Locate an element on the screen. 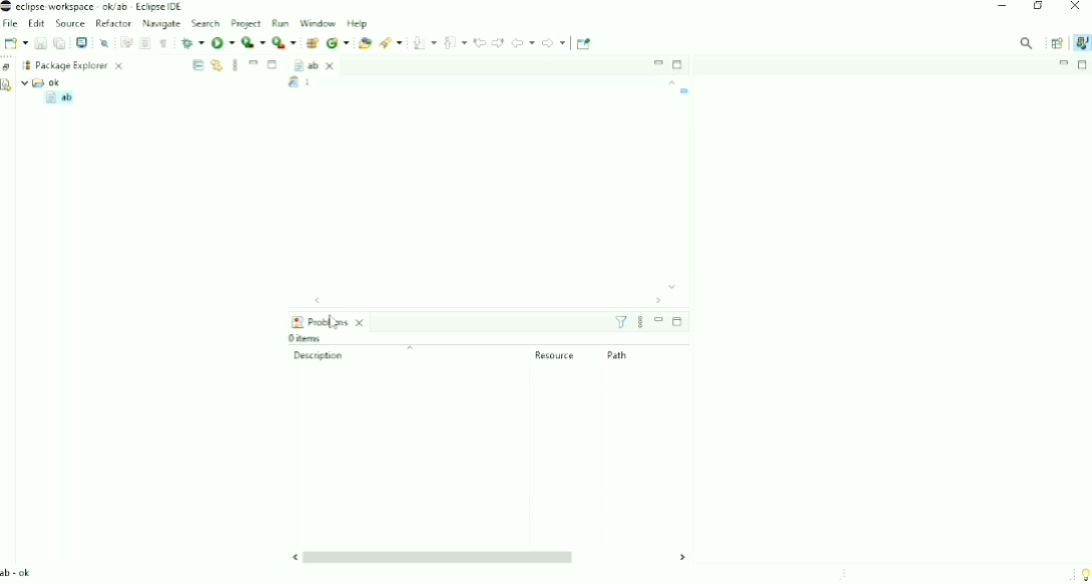 This screenshot has height=584, width=1092. Restore is located at coordinates (8, 68).